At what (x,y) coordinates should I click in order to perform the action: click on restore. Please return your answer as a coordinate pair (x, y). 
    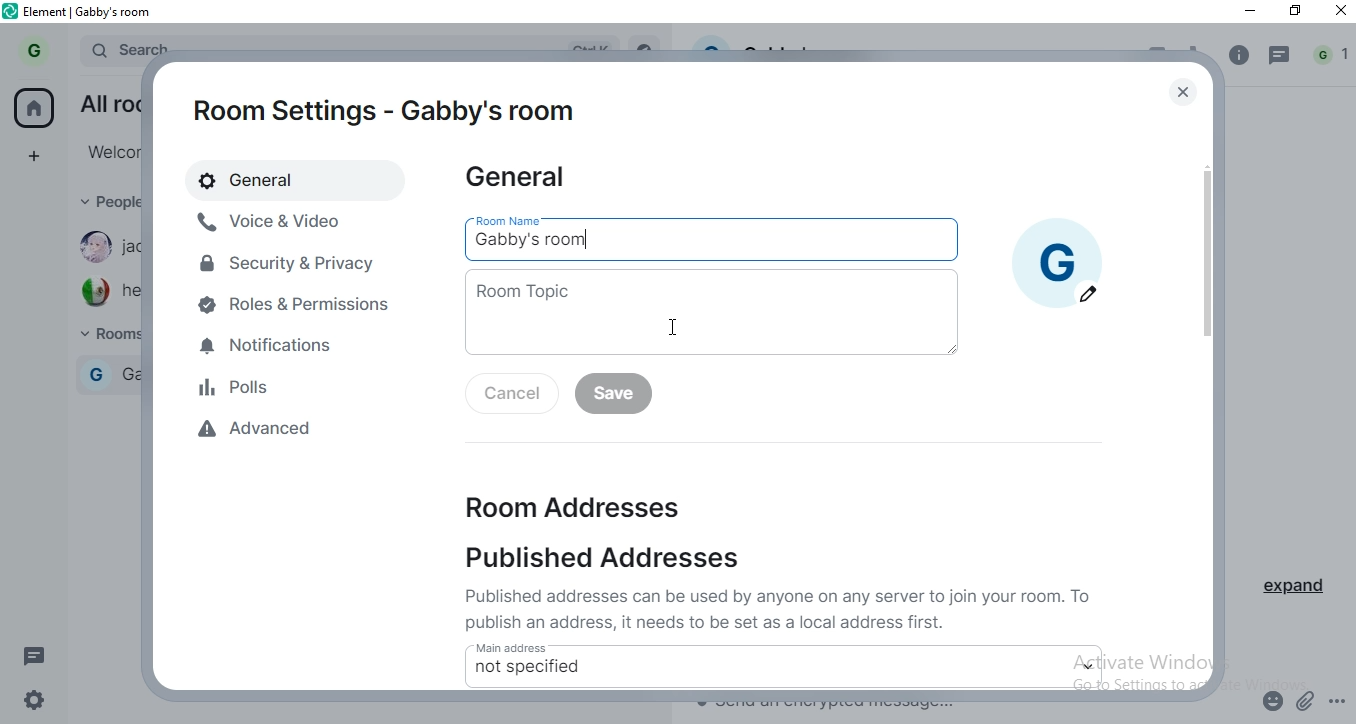
    Looking at the image, I should click on (1296, 12).